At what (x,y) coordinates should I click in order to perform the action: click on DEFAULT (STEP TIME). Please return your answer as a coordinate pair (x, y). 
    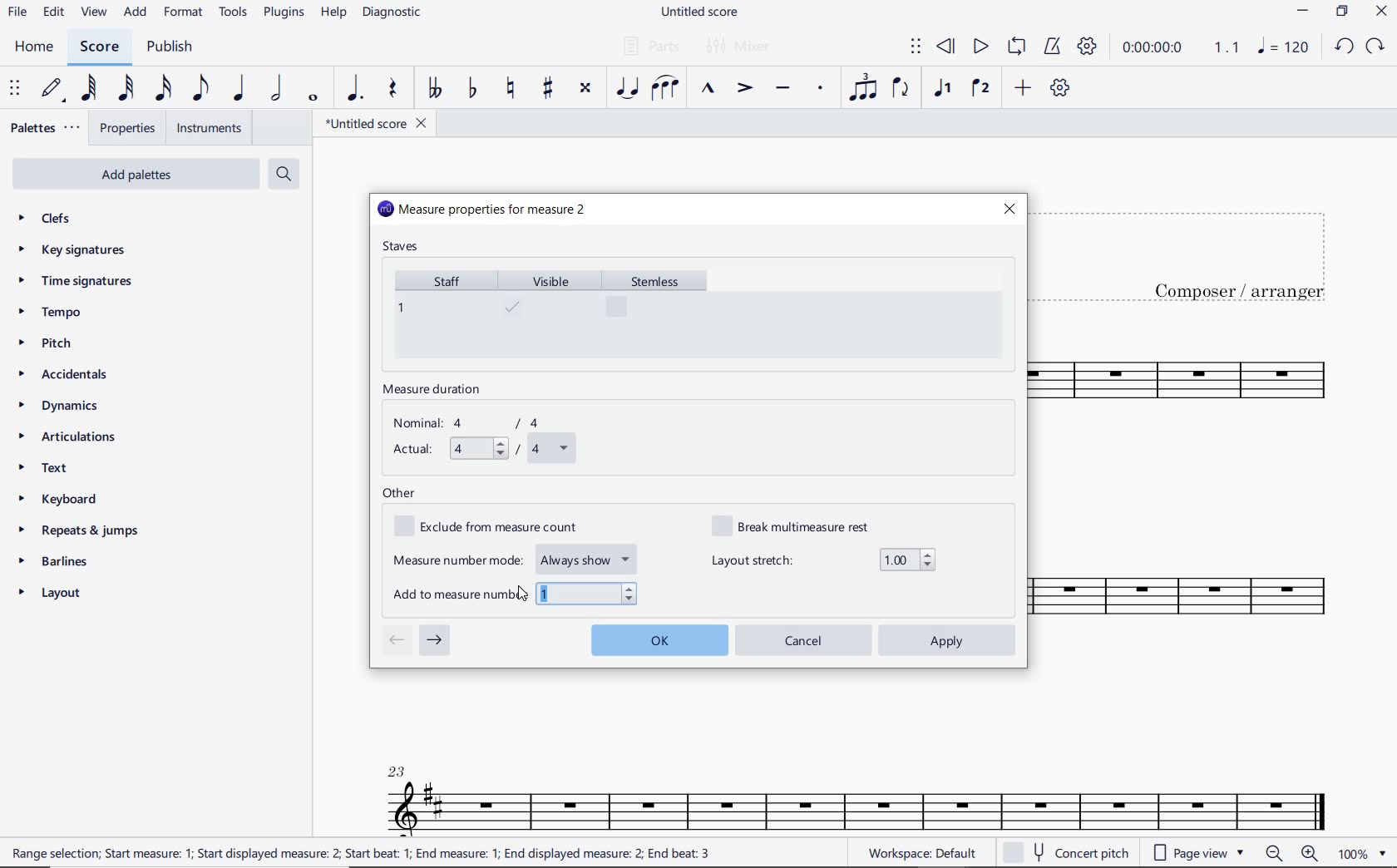
    Looking at the image, I should click on (54, 89).